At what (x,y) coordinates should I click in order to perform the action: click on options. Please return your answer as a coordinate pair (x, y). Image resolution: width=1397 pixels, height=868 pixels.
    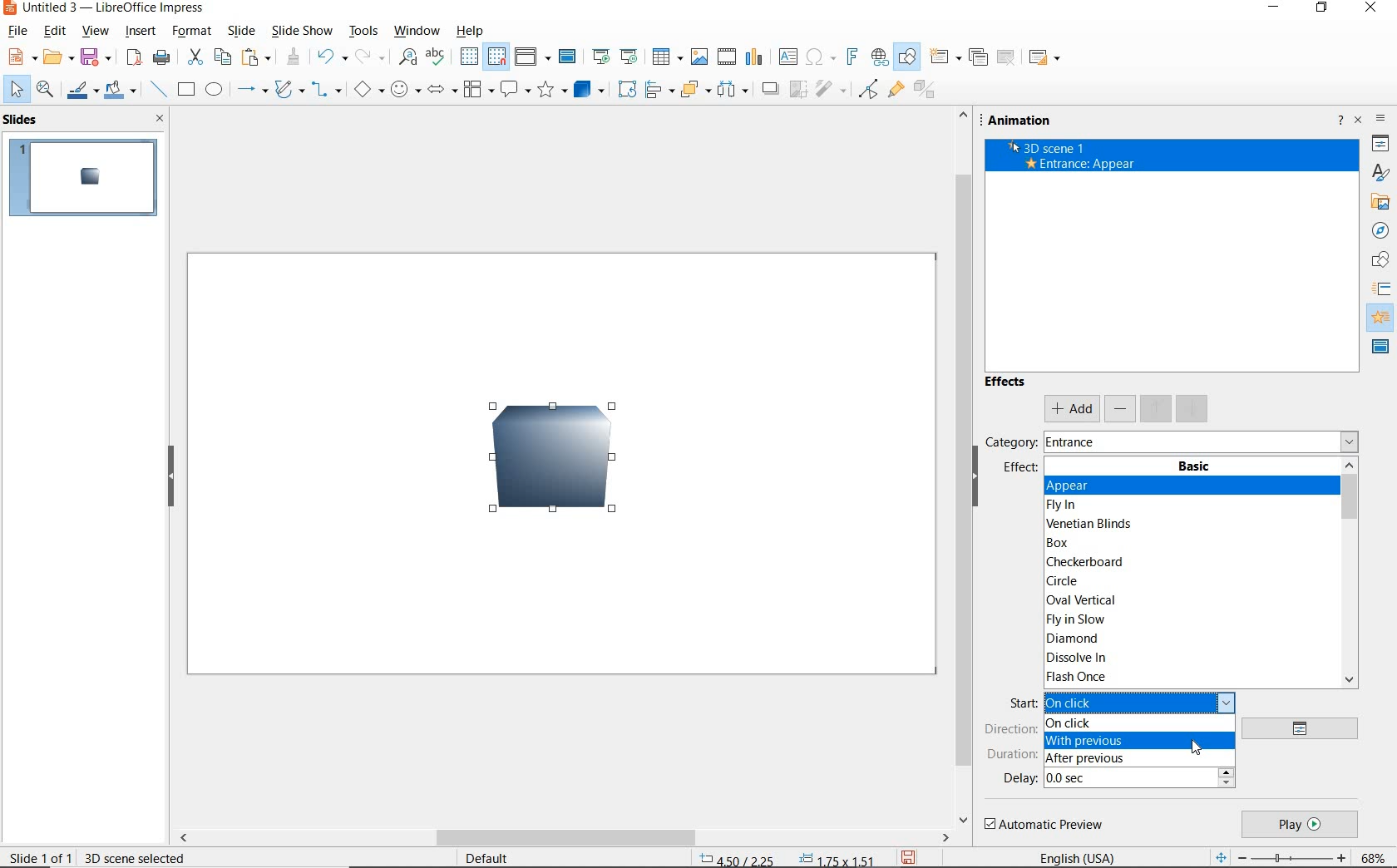
    Looking at the image, I should click on (1306, 729).